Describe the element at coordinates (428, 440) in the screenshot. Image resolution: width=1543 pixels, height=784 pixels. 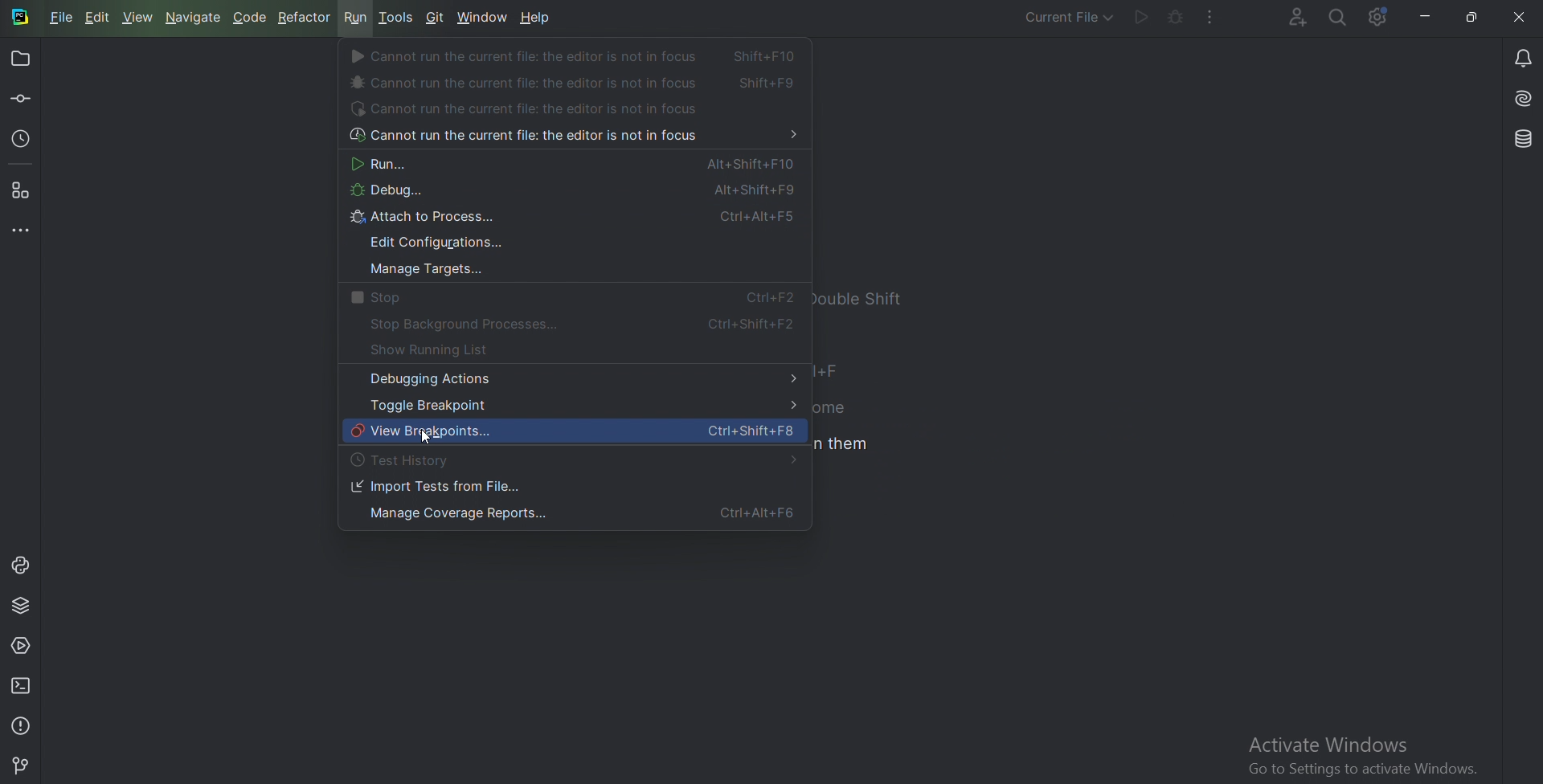
I see `Cursor` at that location.